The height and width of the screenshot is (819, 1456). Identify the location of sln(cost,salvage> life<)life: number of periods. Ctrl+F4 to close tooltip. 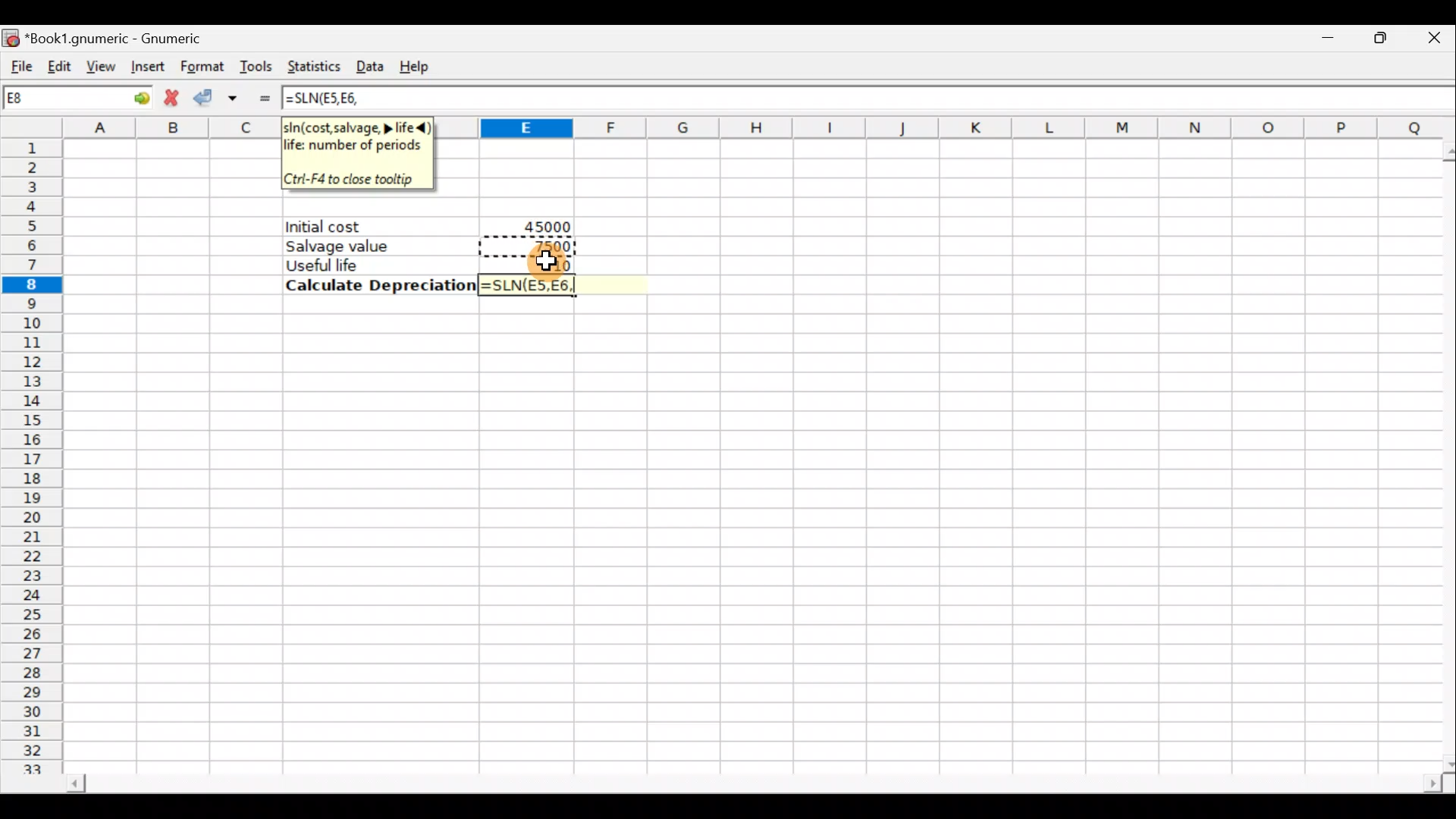
(361, 152).